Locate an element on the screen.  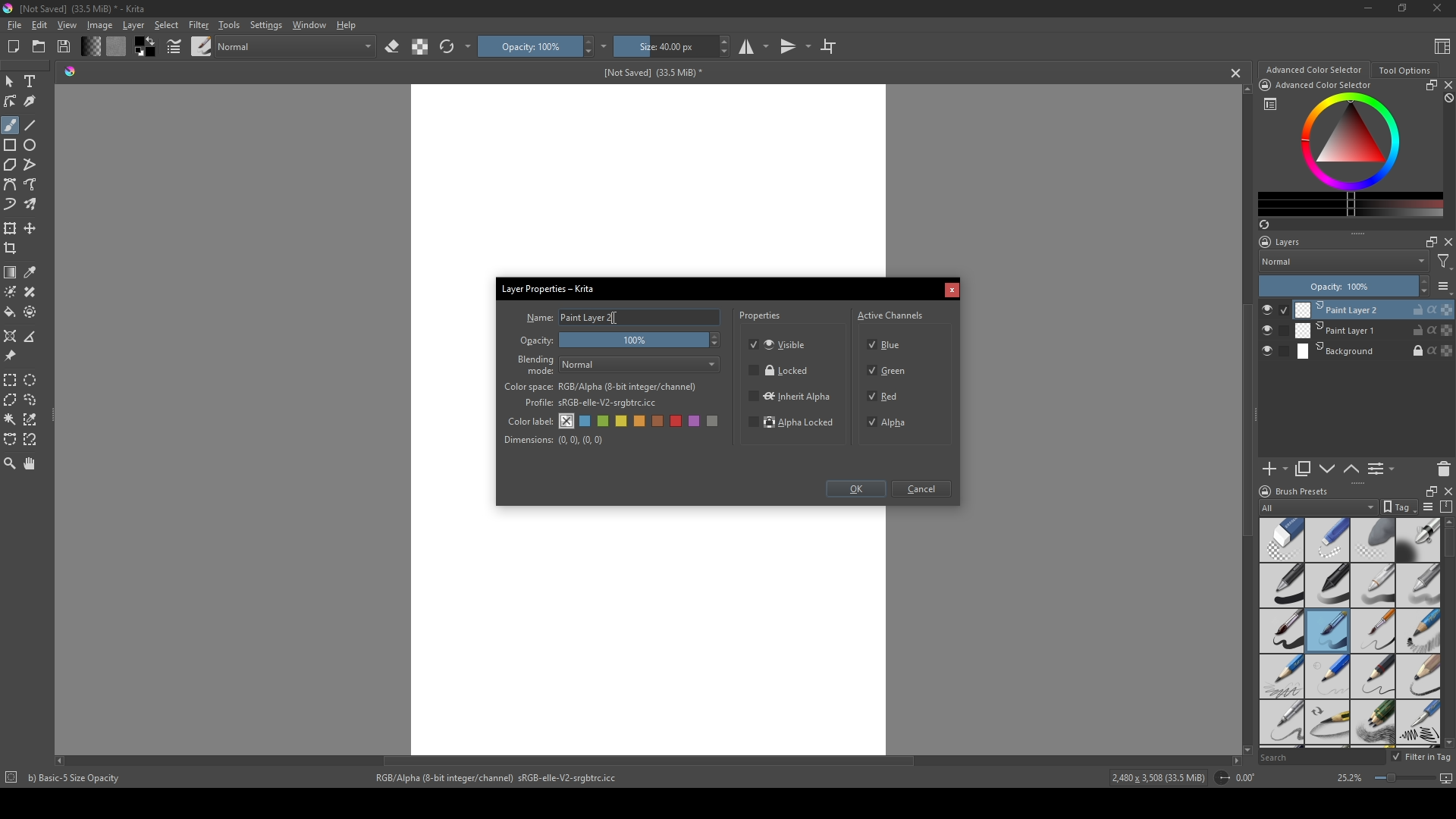
colors display is located at coordinates (1352, 142).